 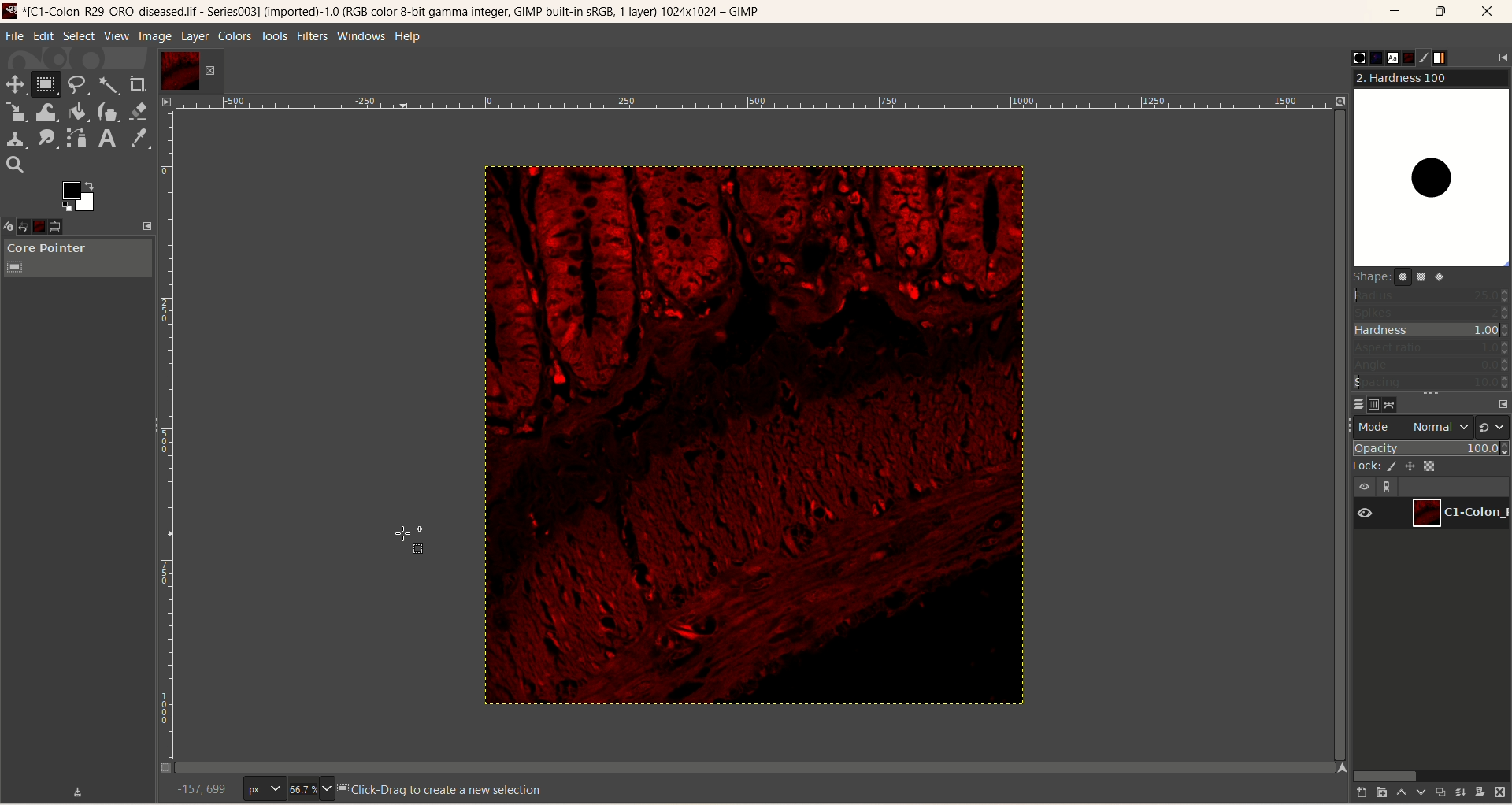 What do you see at coordinates (1395, 14) in the screenshot?
I see `minimize` at bounding box center [1395, 14].